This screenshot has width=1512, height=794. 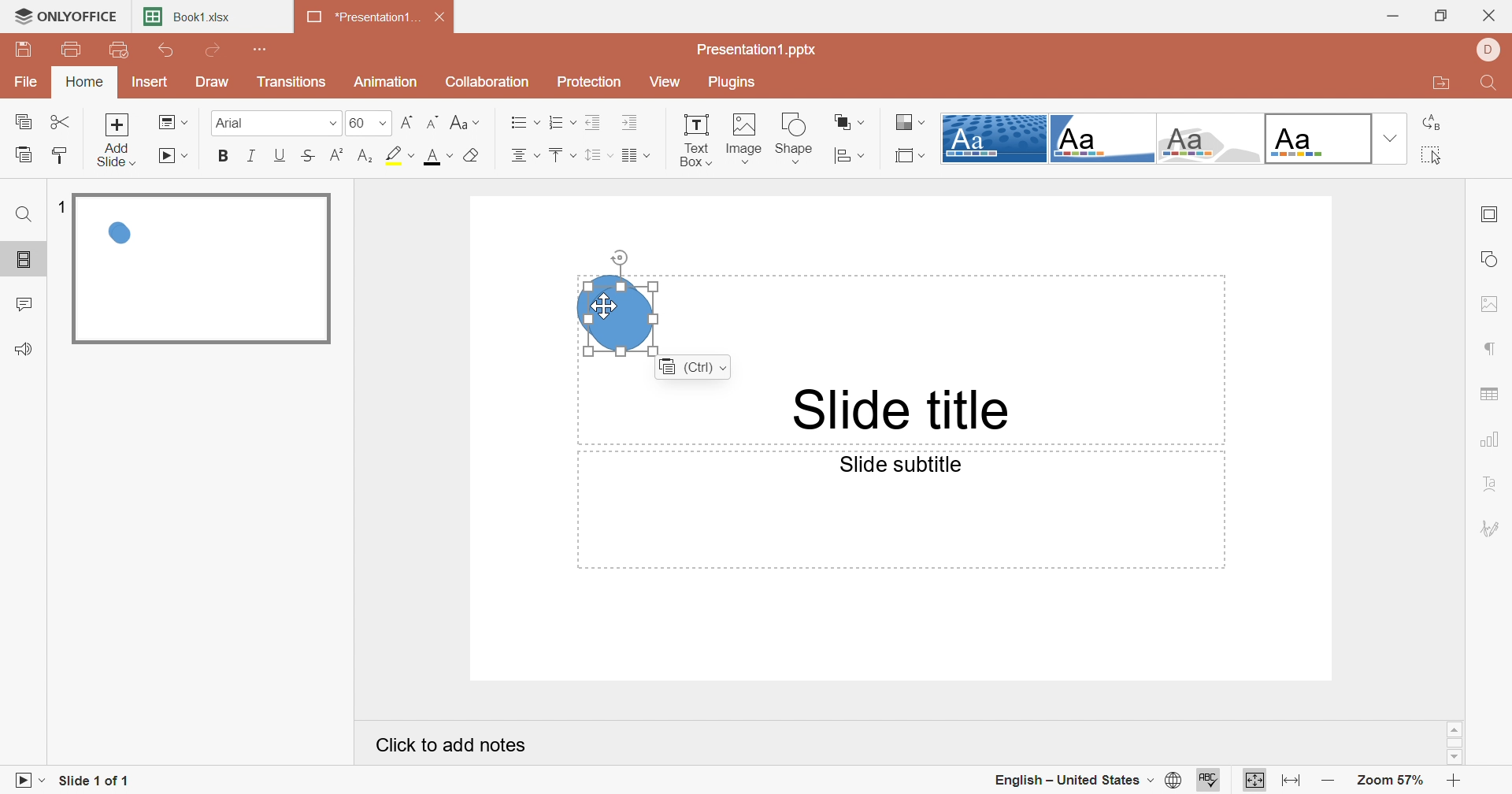 What do you see at coordinates (1455, 782) in the screenshot?
I see `Zoom in` at bounding box center [1455, 782].